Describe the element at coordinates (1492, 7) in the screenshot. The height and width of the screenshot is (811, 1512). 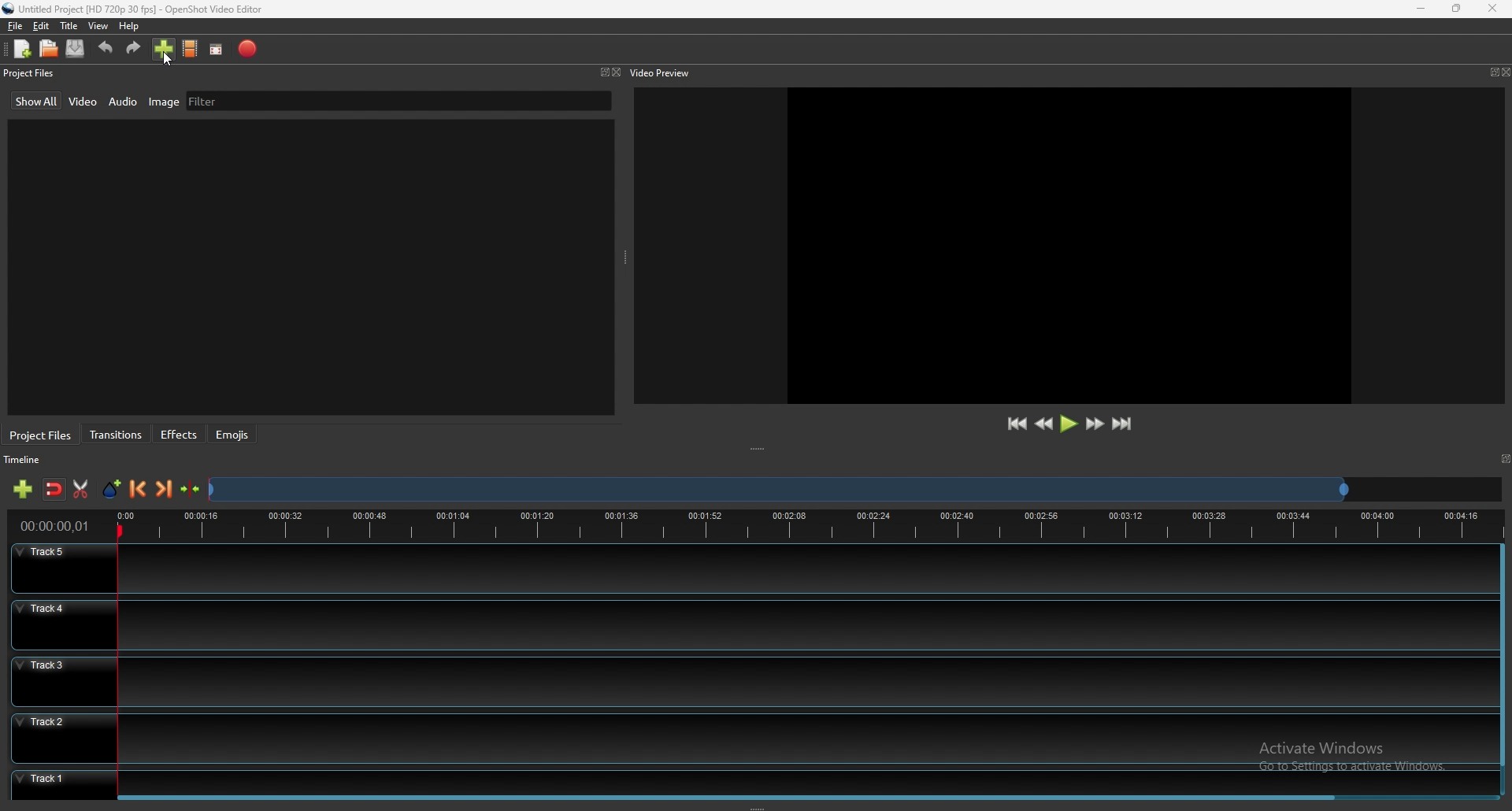
I see `close` at that location.